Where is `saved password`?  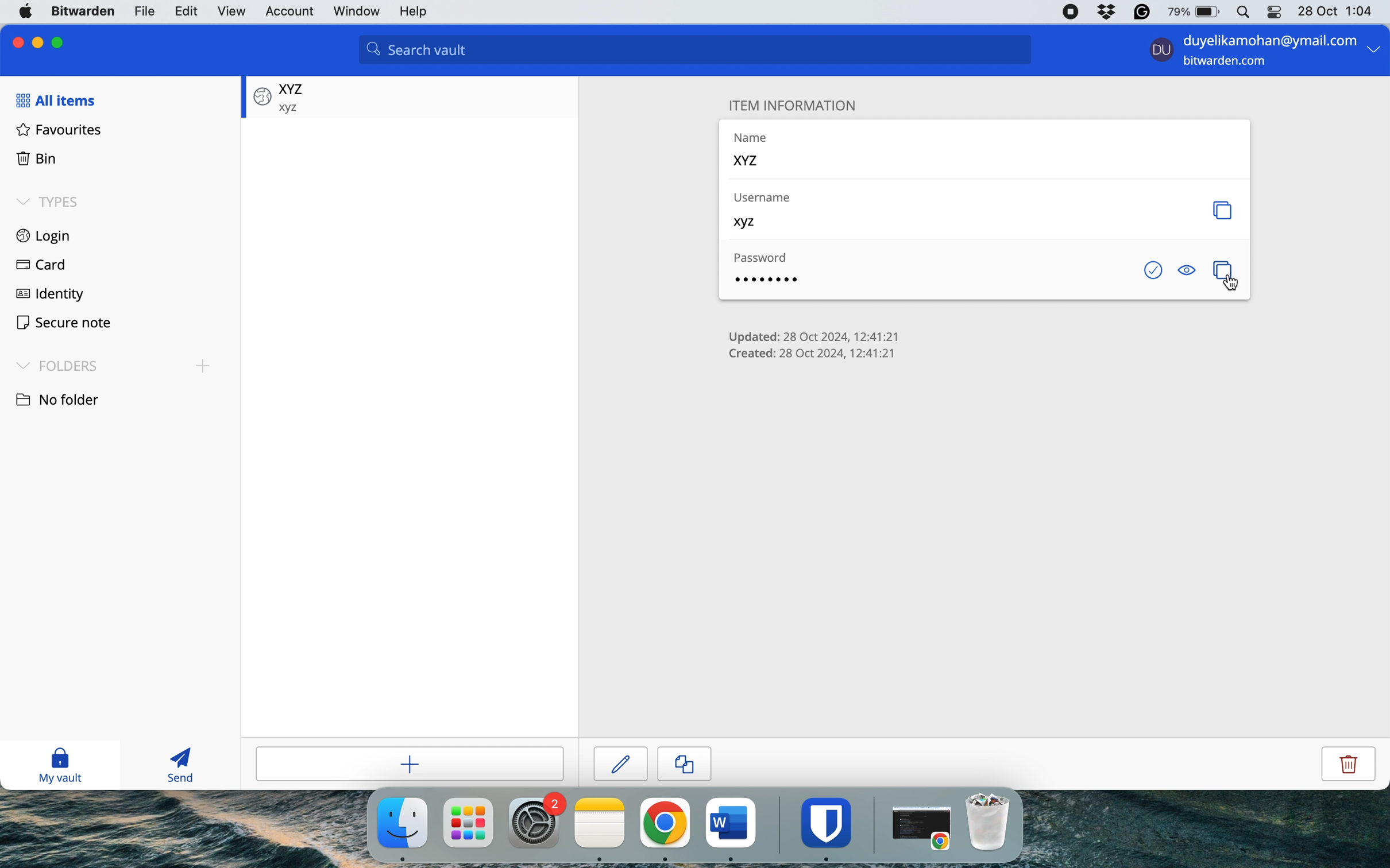 saved password is located at coordinates (280, 96).